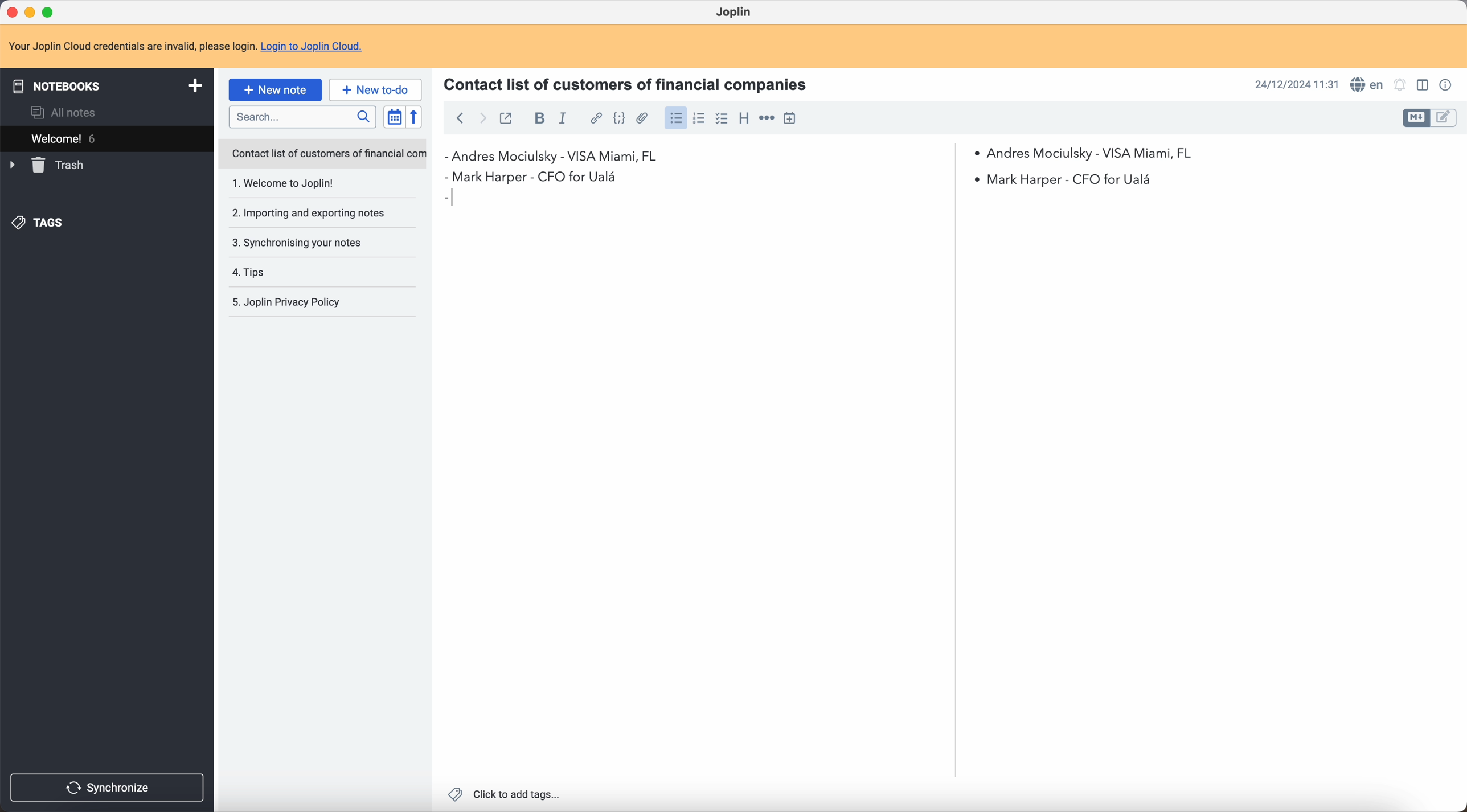 The height and width of the screenshot is (812, 1467). I want to click on toggle edit layout, so click(1422, 84).